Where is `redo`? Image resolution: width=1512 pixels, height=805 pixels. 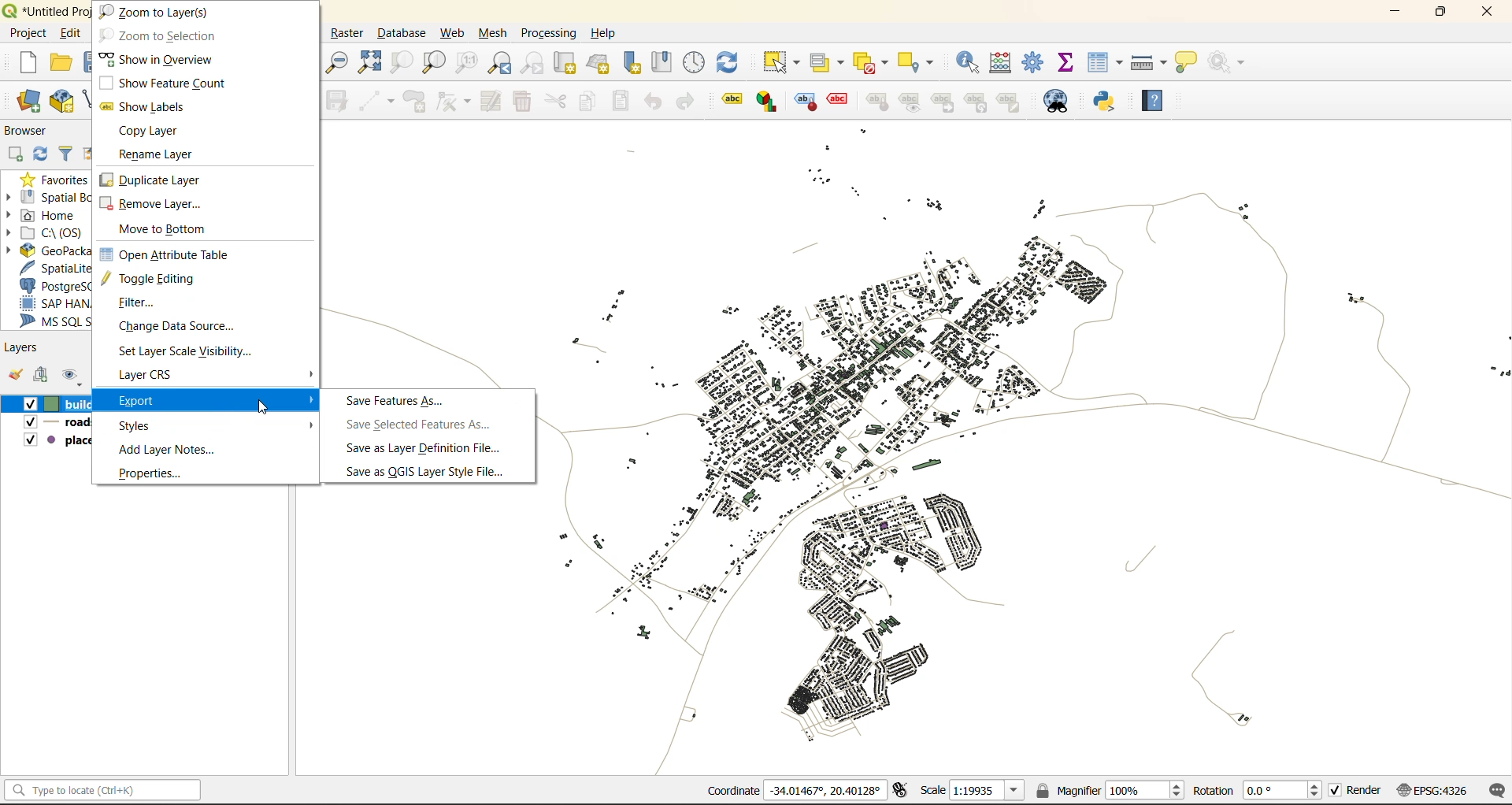
redo is located at coordinates (687, 103).